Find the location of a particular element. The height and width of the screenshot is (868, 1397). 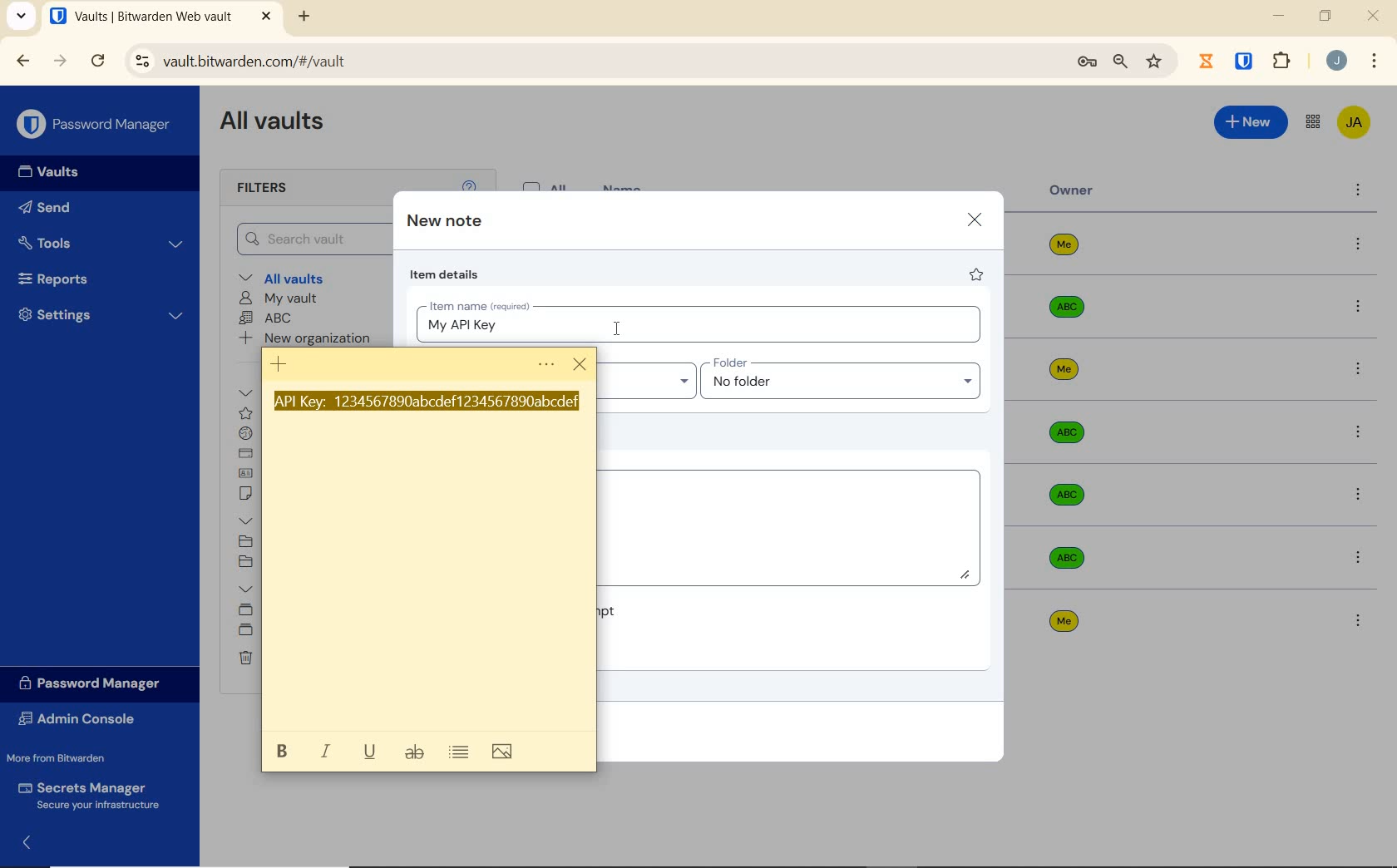

expand/collapse is located at coordinates (30, 841).